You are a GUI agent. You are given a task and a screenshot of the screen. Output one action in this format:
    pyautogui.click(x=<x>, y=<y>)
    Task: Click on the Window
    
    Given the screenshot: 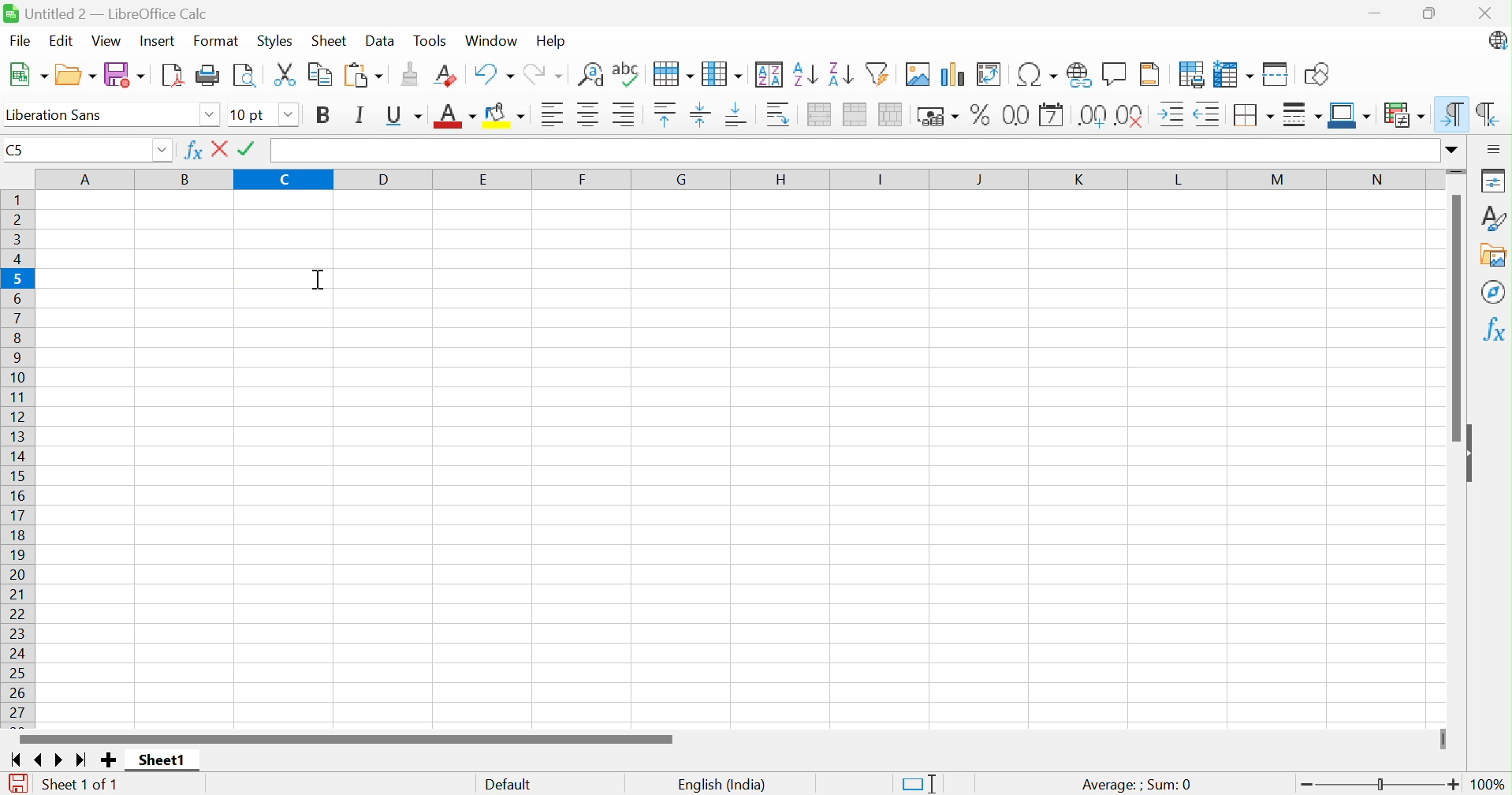 What is the action you would take?
    pyautogui.click(x=490, y=40)
    